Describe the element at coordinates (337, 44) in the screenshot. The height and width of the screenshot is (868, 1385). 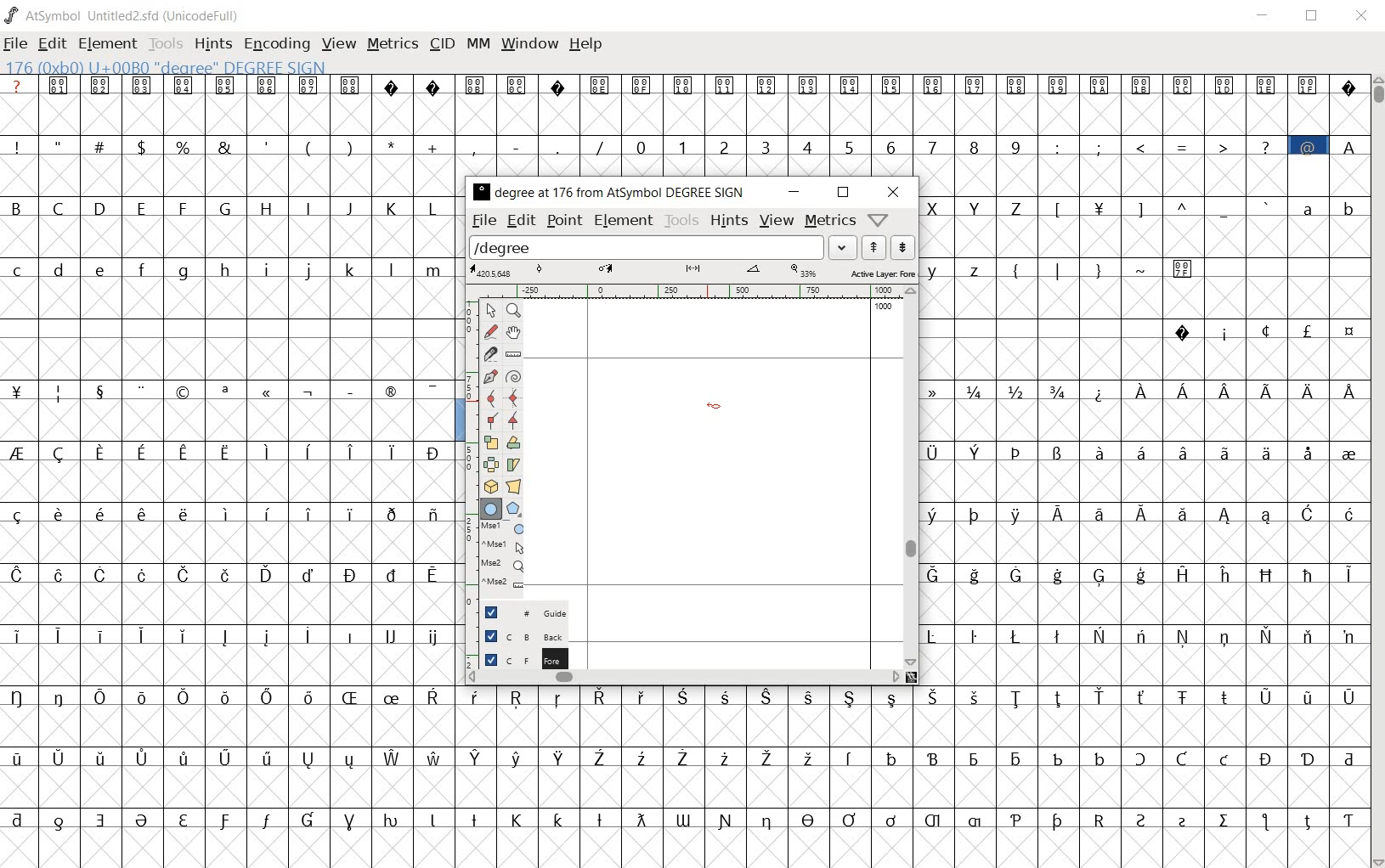
I see `view` at that location.